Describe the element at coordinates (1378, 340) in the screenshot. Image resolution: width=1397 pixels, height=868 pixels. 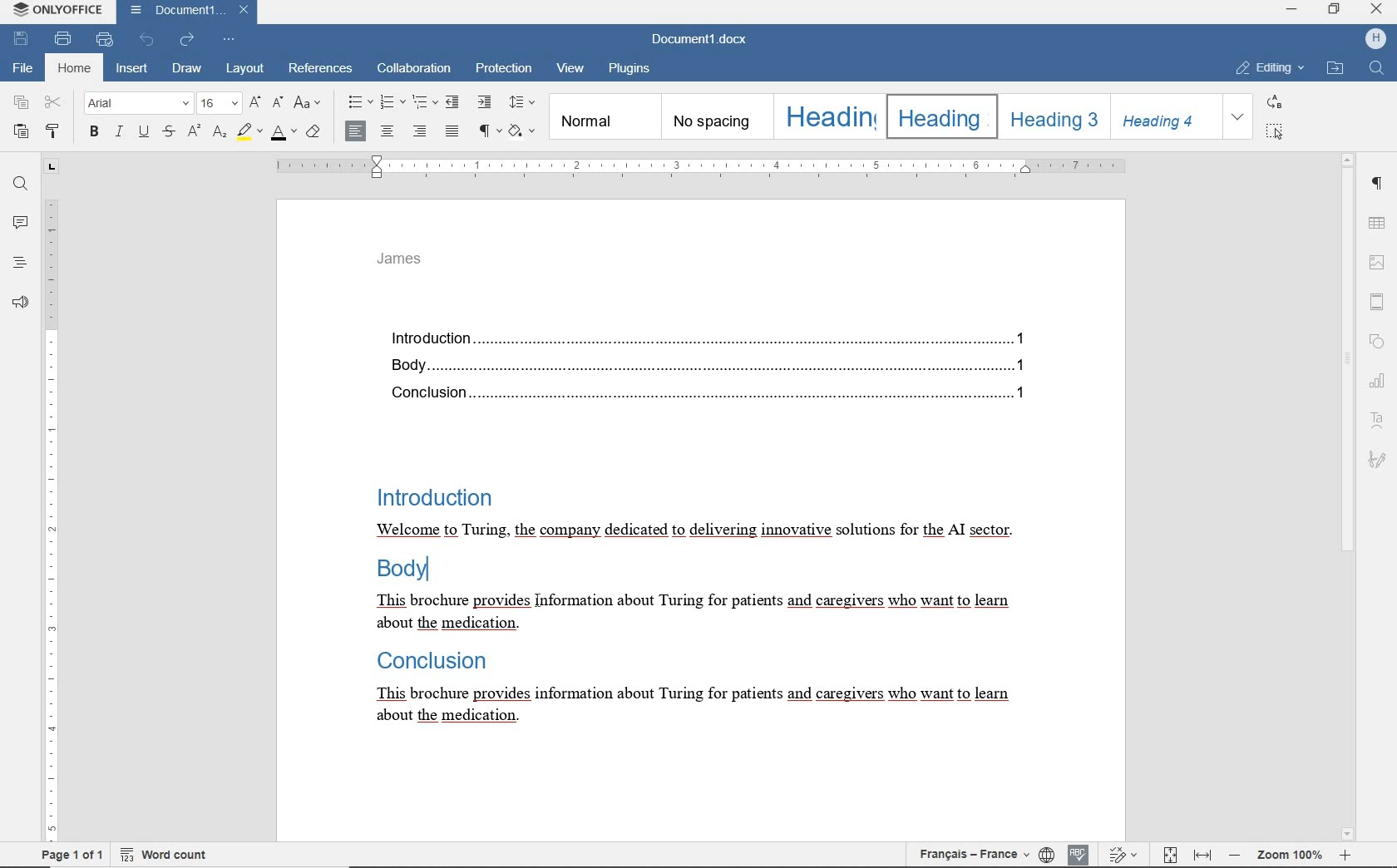
I see `SHAPE` at that location.